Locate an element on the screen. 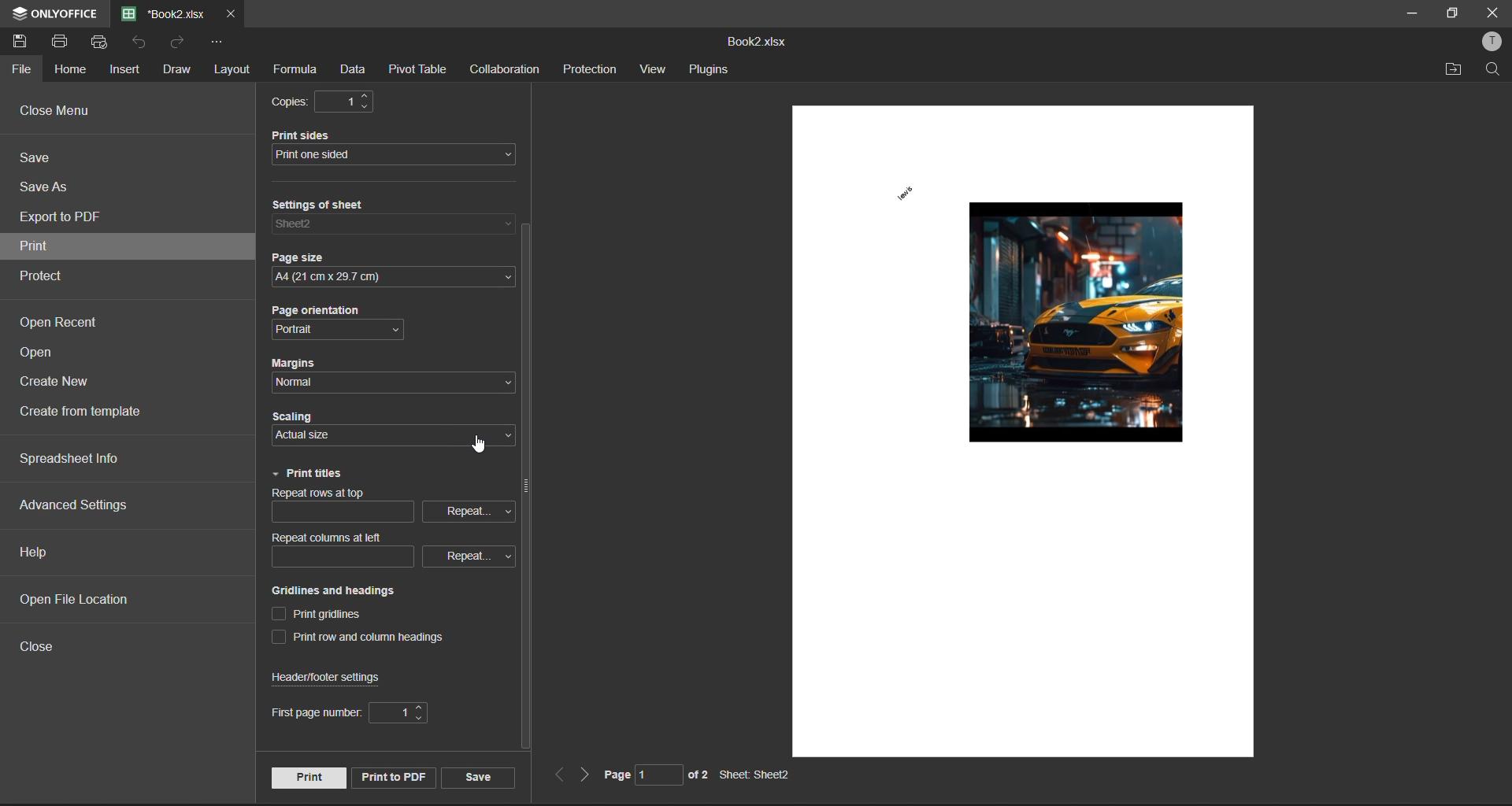 This screenshot has height=806, width=1512. maximize is located at coordinates (1450, 14).